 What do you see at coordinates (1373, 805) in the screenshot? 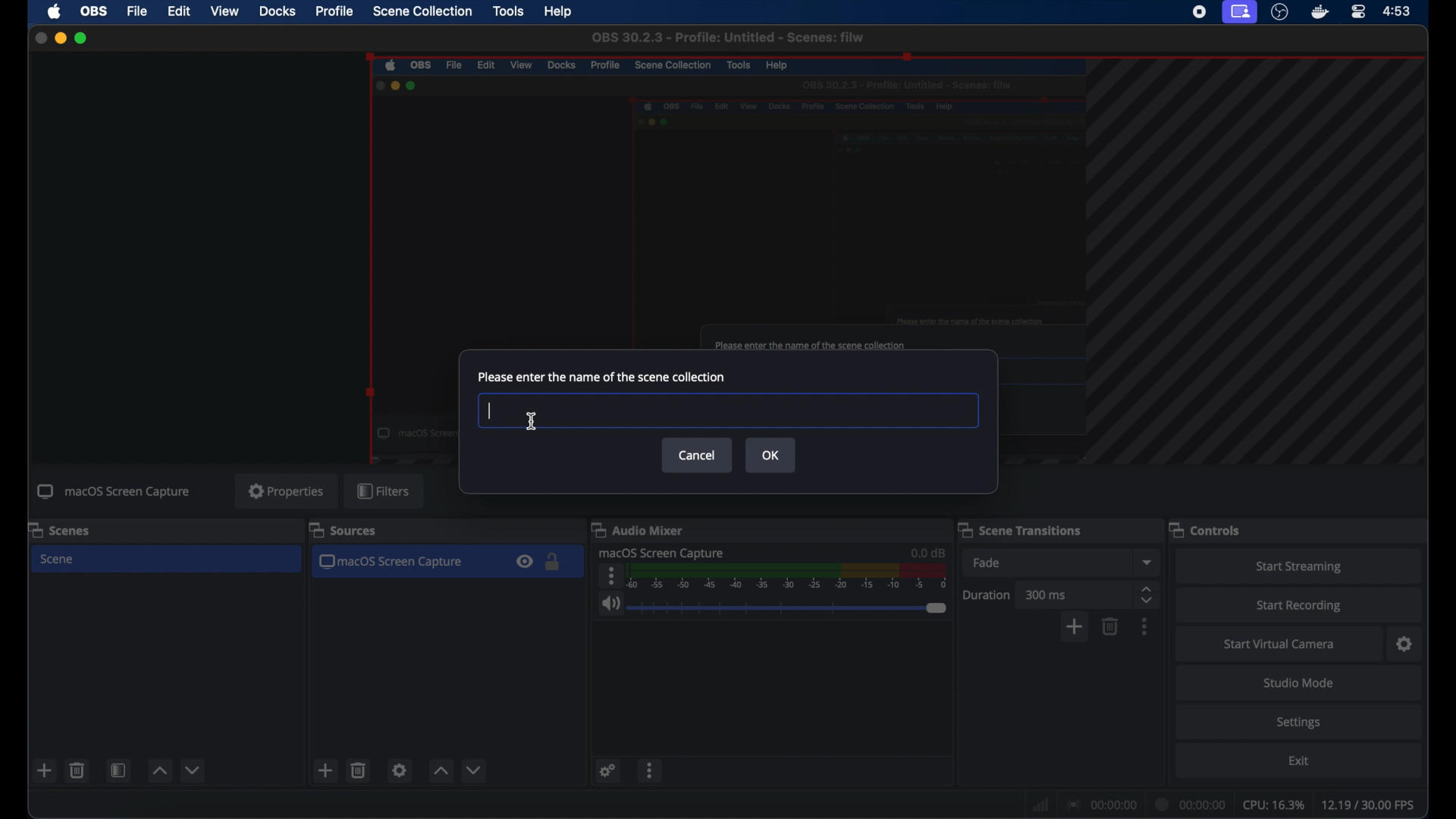
I see `fps` at bounding box center [1373, 805].